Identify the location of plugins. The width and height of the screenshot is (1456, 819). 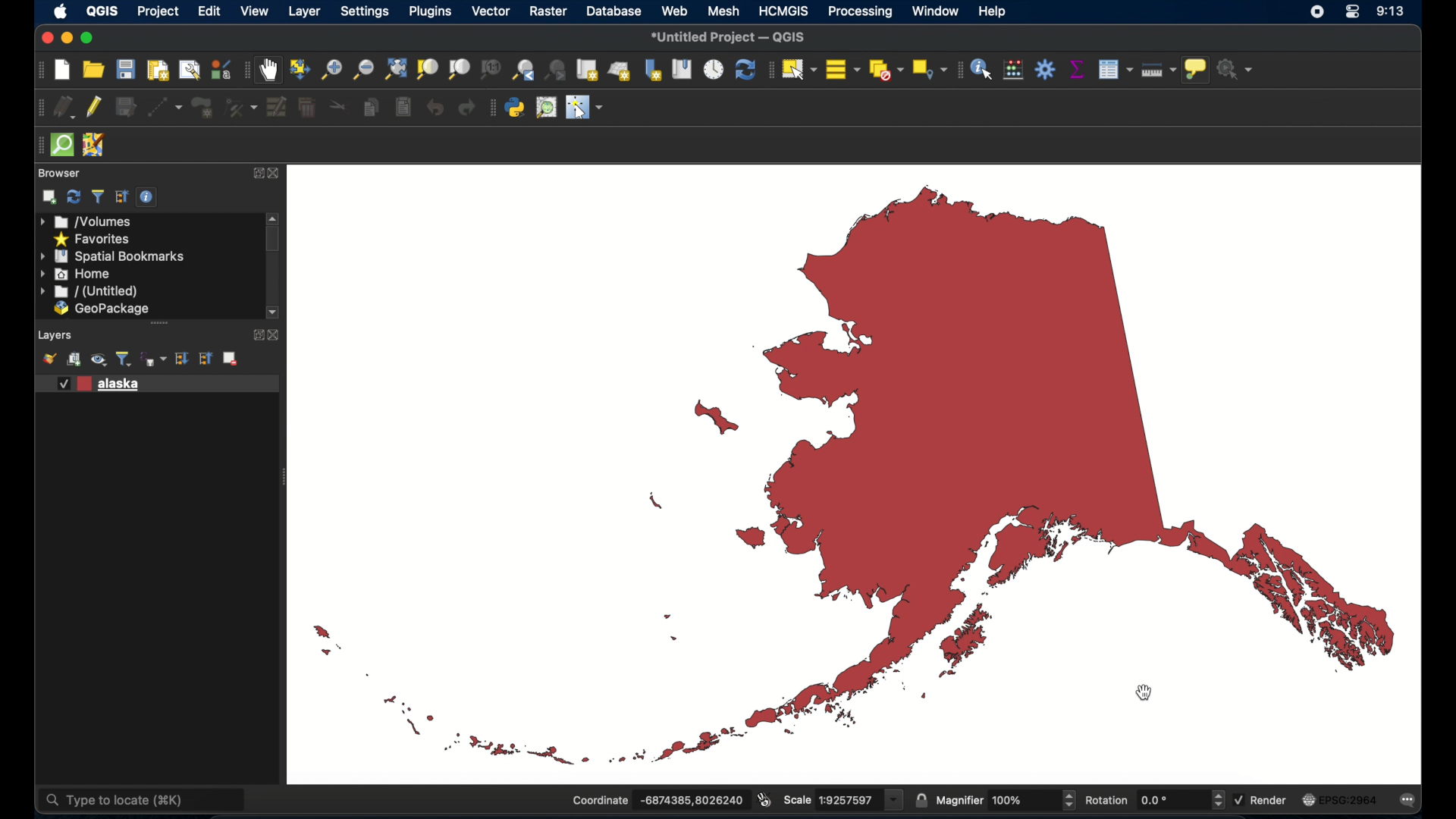
(430, 11).